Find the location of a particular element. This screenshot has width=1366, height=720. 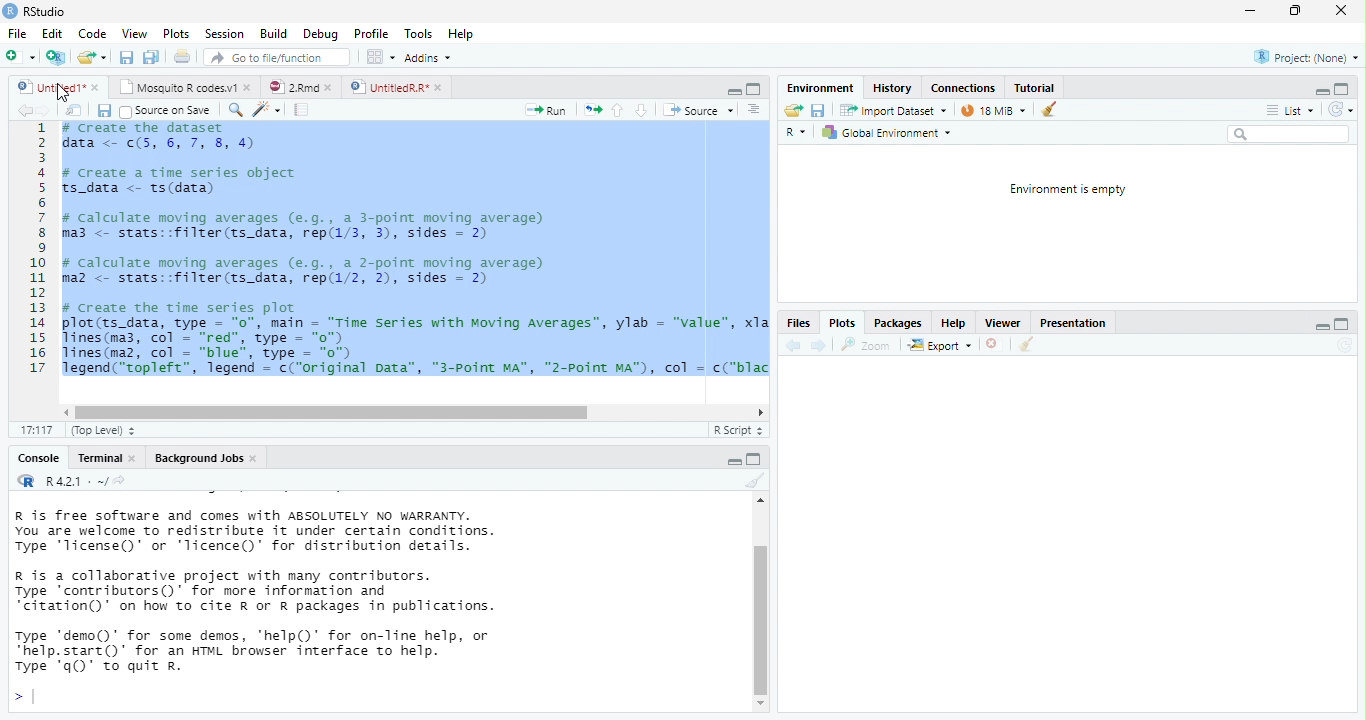

17:17 is located at coordinates (35, 430).